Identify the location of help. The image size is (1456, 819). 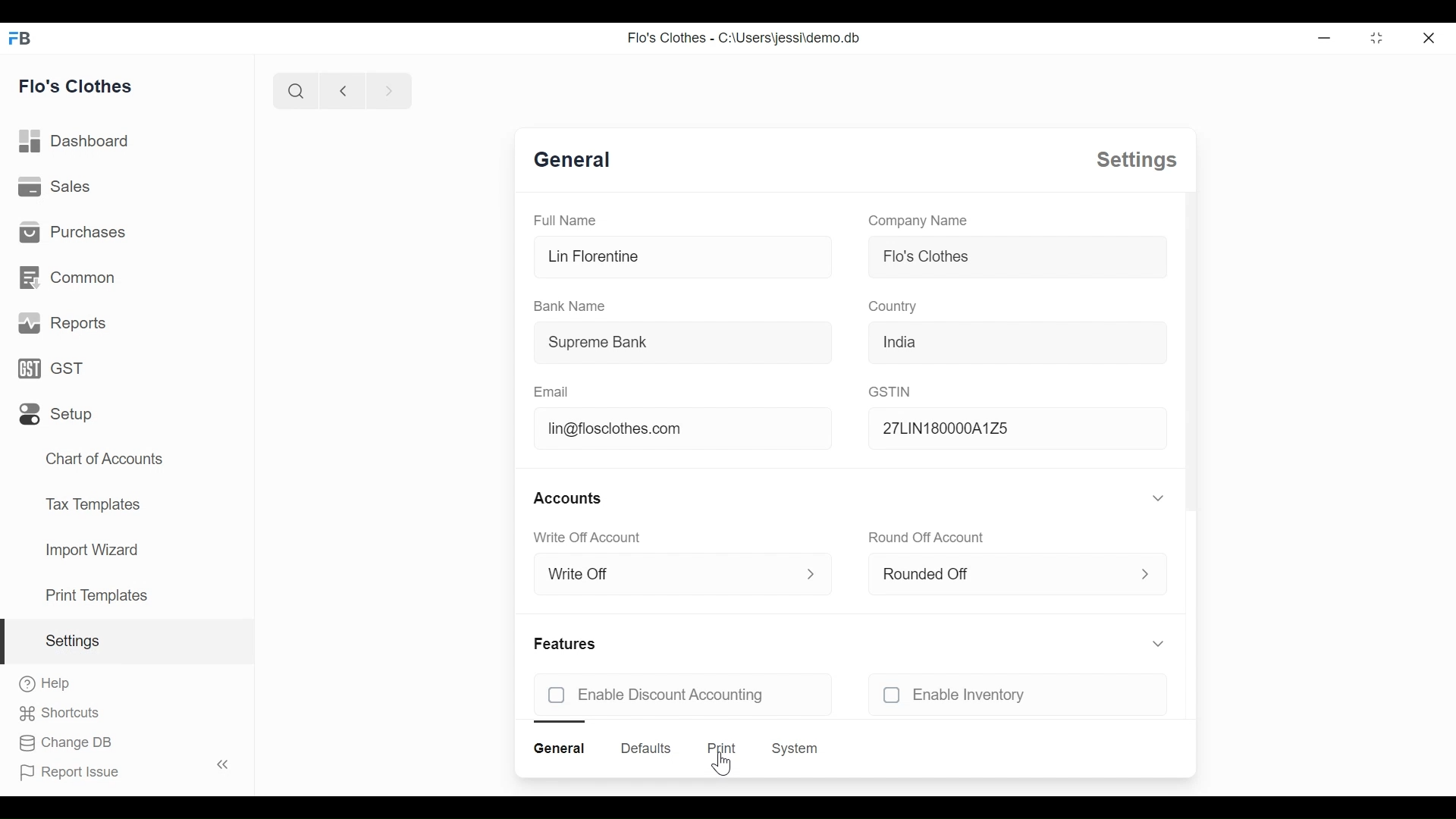
(45, 683).